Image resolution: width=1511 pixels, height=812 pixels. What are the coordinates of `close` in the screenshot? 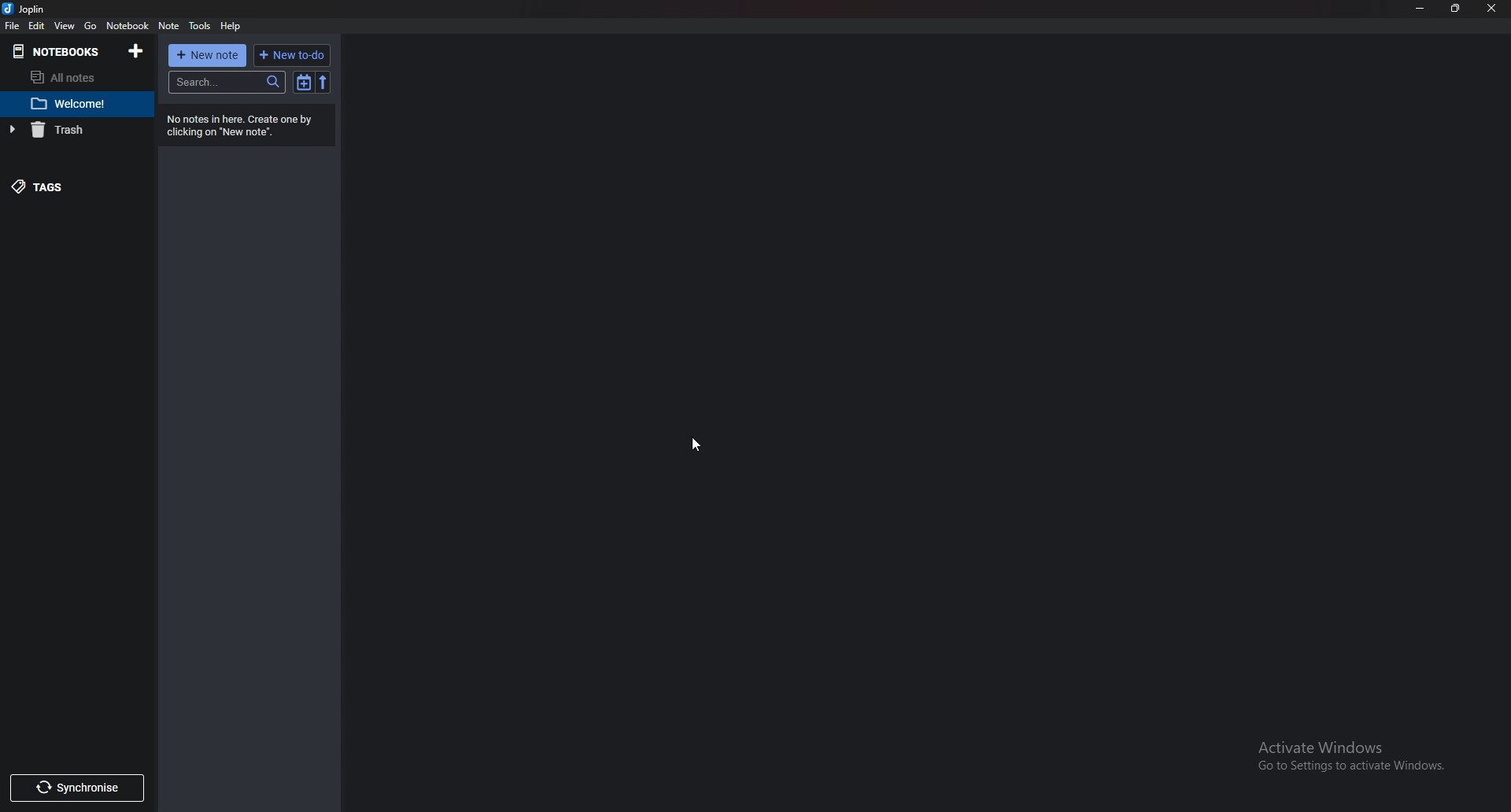 It's located at (1491, 8).